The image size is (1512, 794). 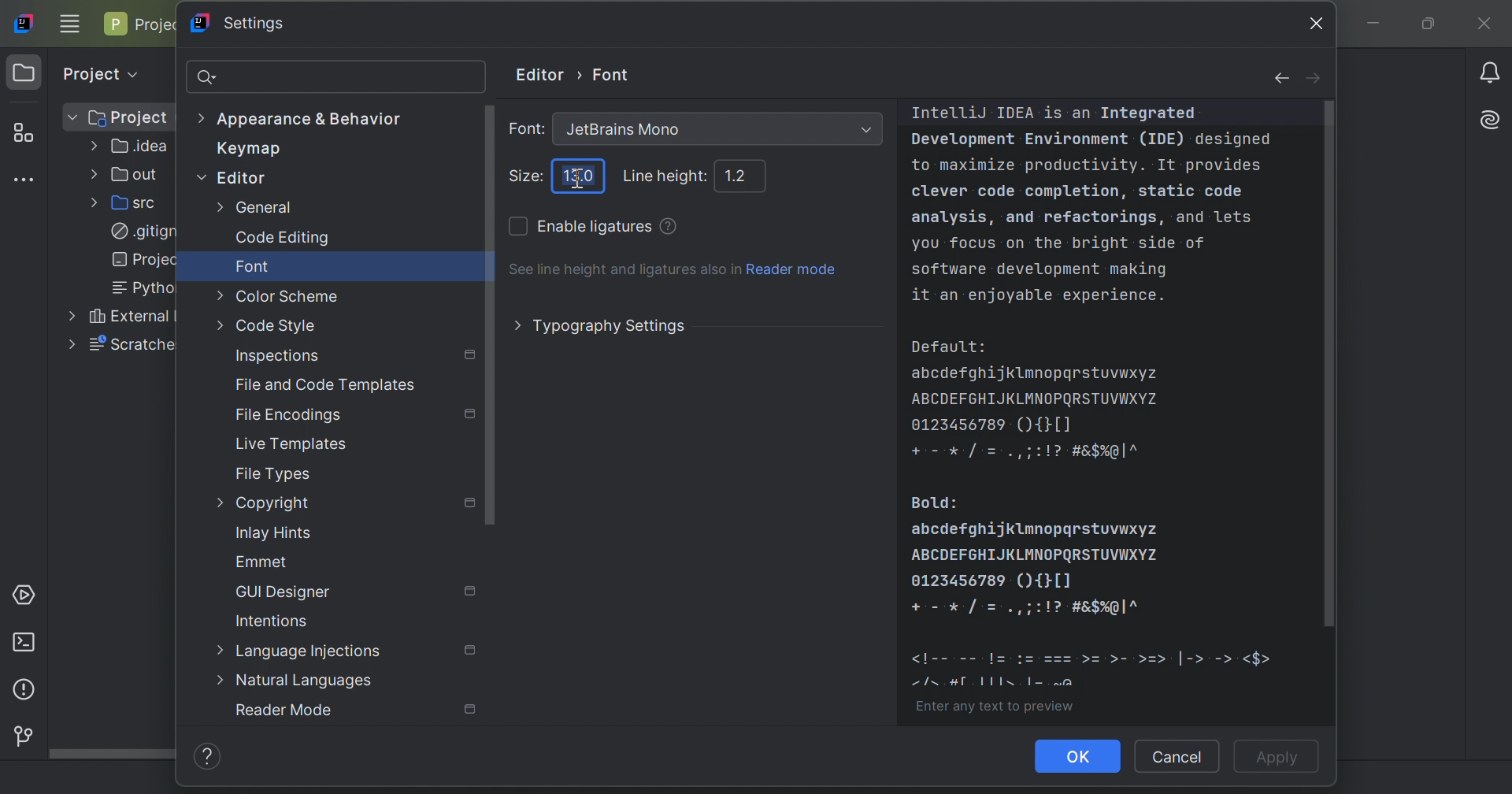 I want to click on Bold:, so click(x=936, y=503).